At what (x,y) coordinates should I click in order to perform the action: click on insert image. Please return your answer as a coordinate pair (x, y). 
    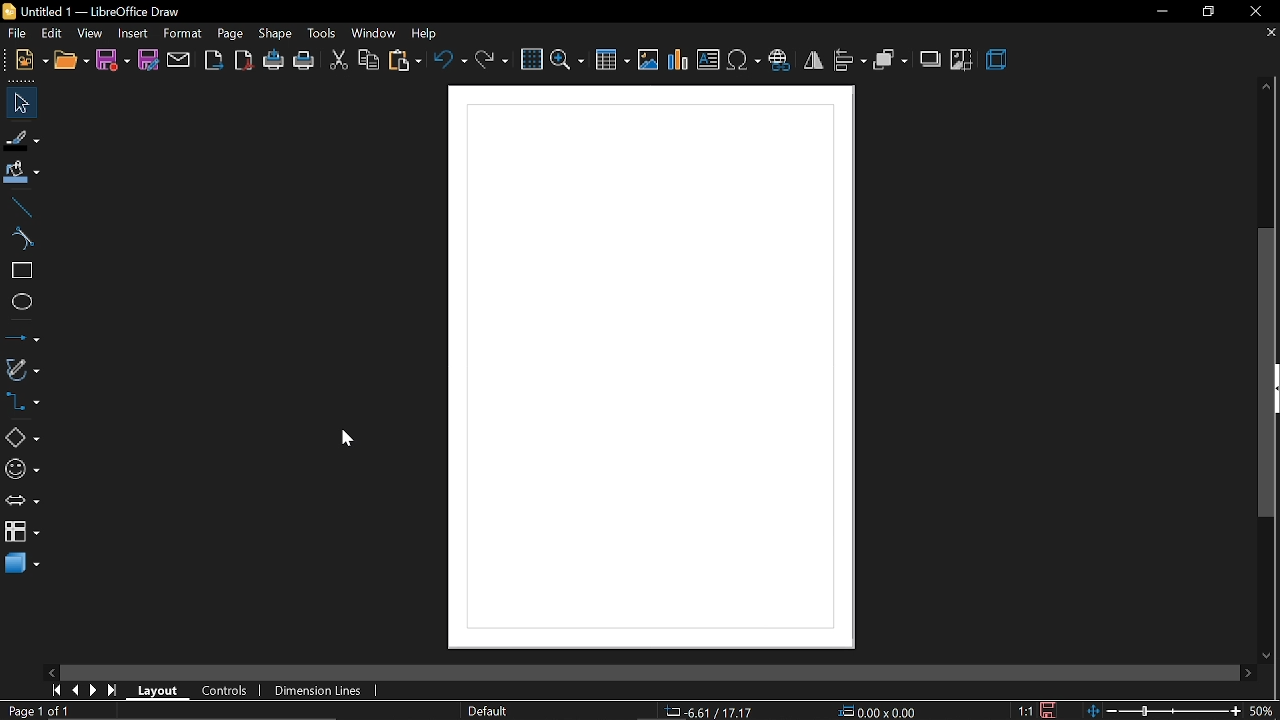
    Looking at the image, I should click on (647, 60).